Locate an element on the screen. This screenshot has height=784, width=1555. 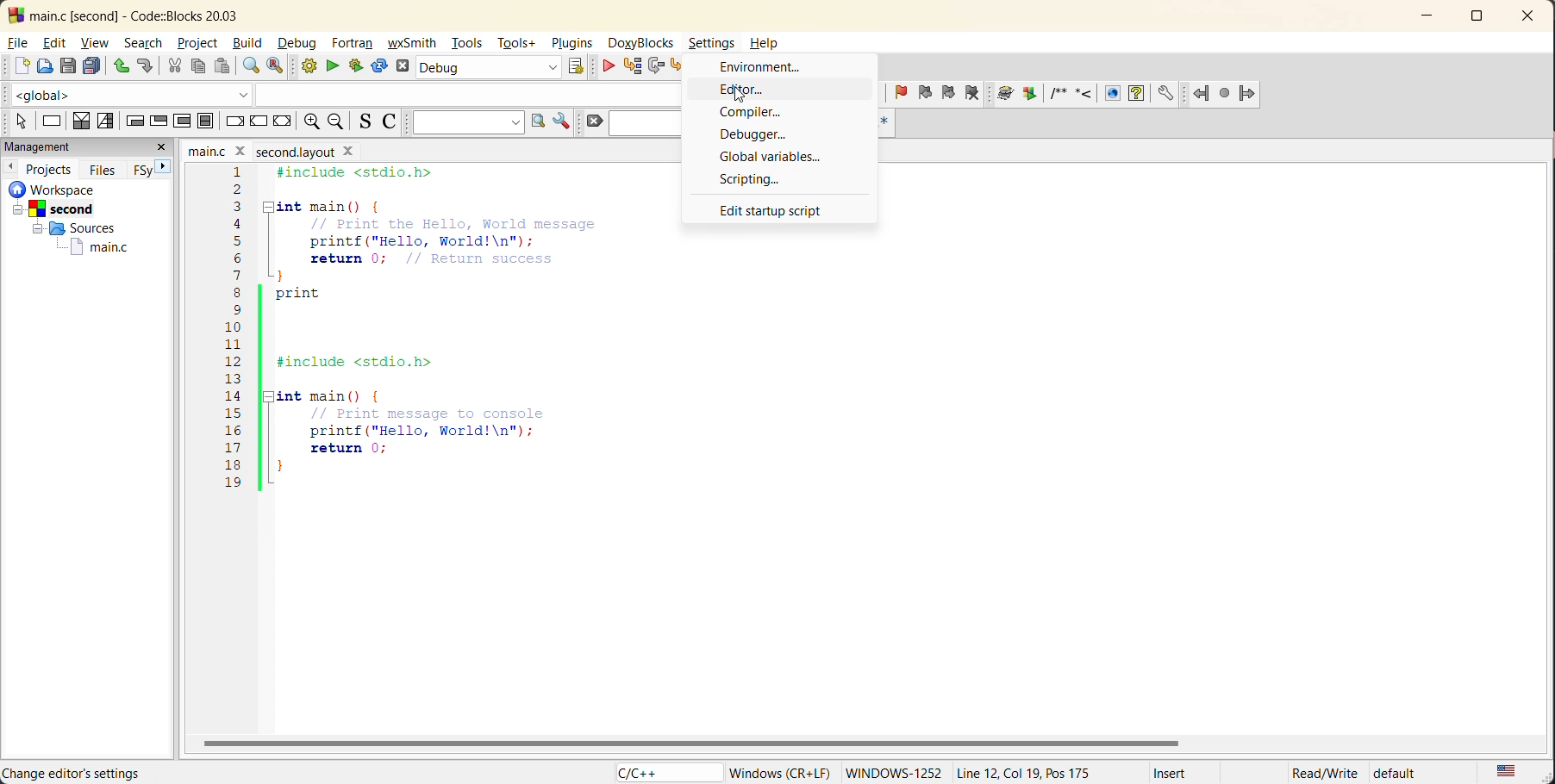
block instruction is located at coordinates (208, 121).